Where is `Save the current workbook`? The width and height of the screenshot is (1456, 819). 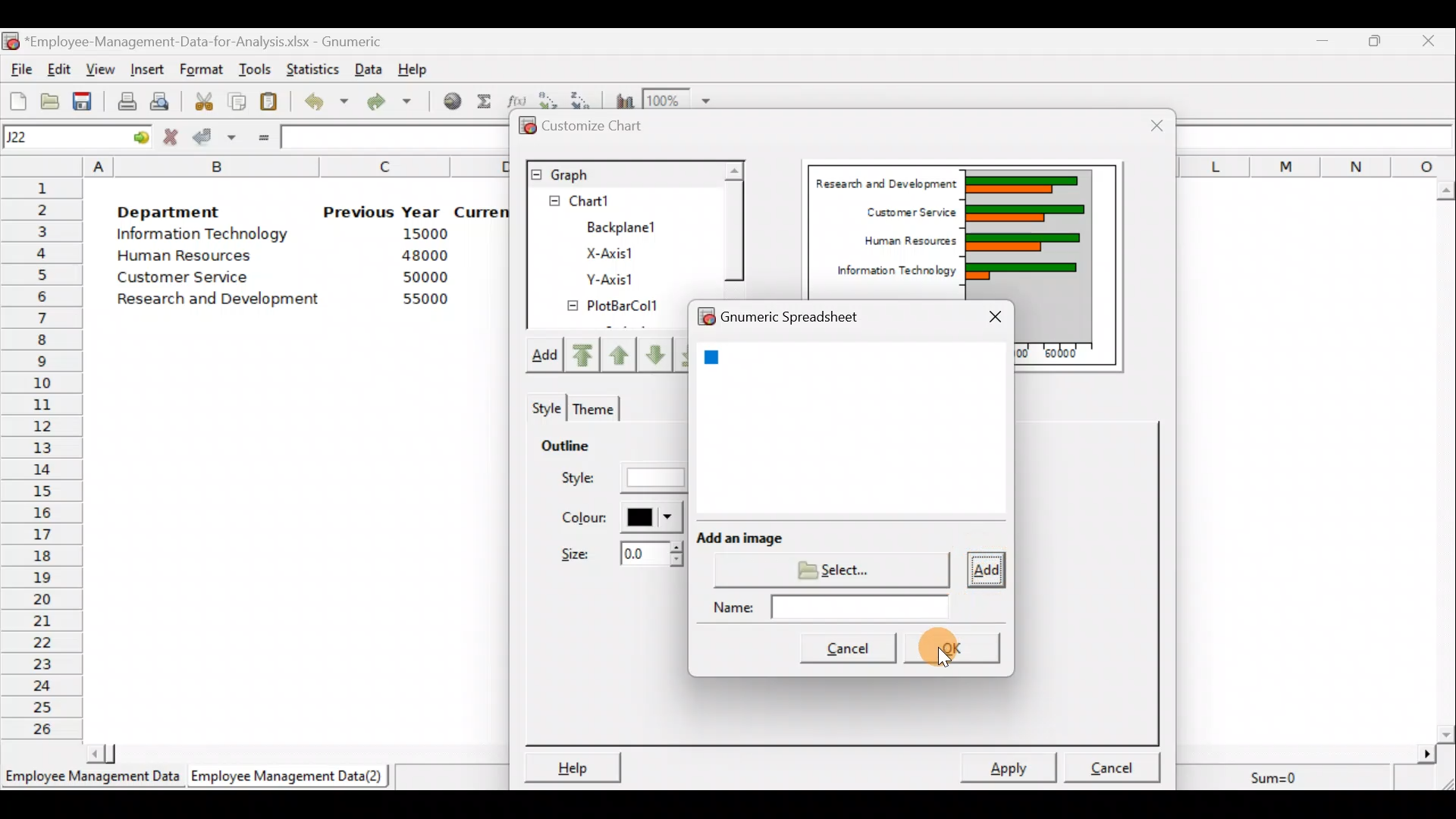
Save the current workbook is located at coordinates (83, 99).